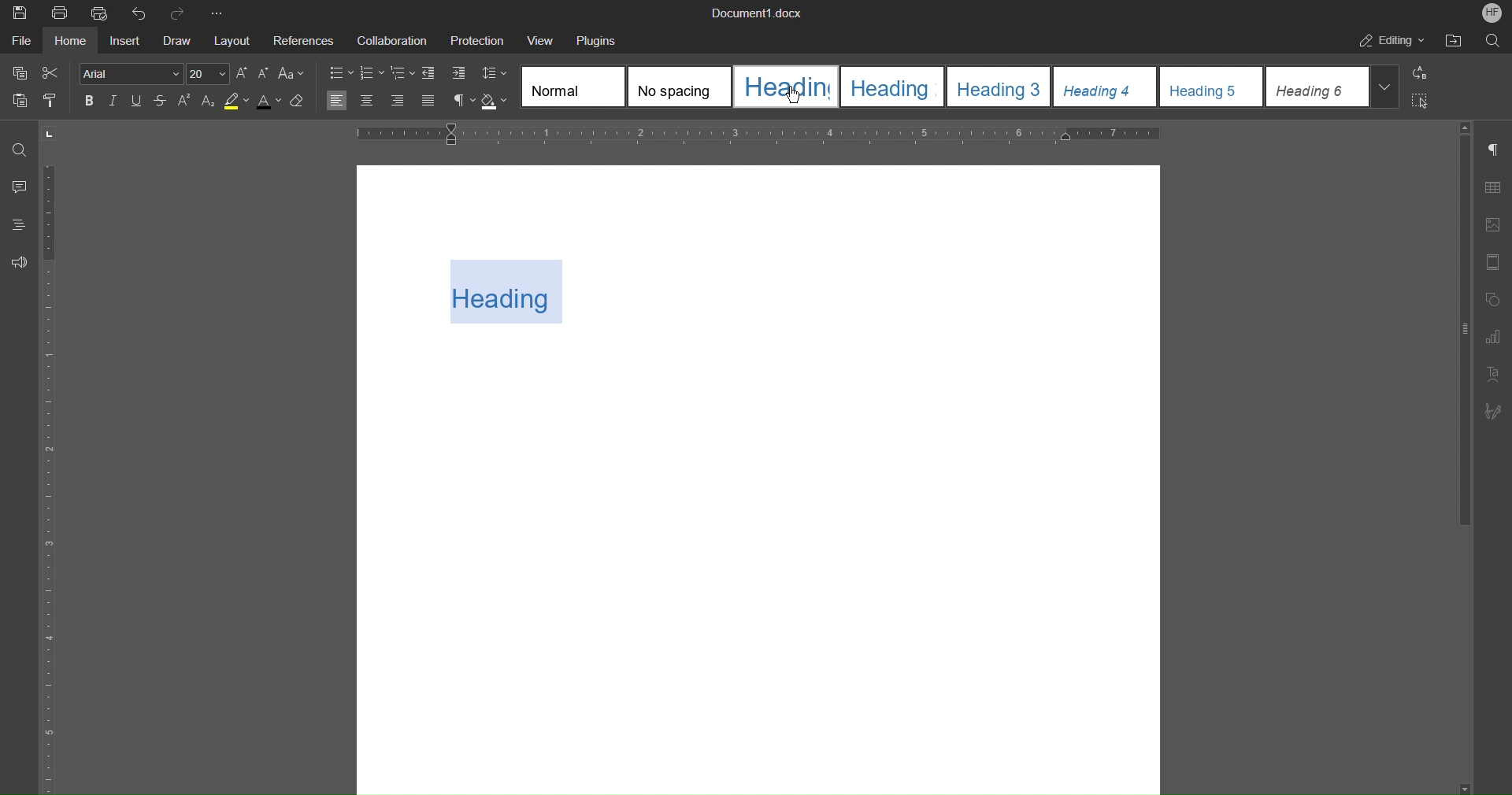 Image resolution: width=1512 pixels, height=795 pixels. I want to click on Copy Style, so click(55, 100).